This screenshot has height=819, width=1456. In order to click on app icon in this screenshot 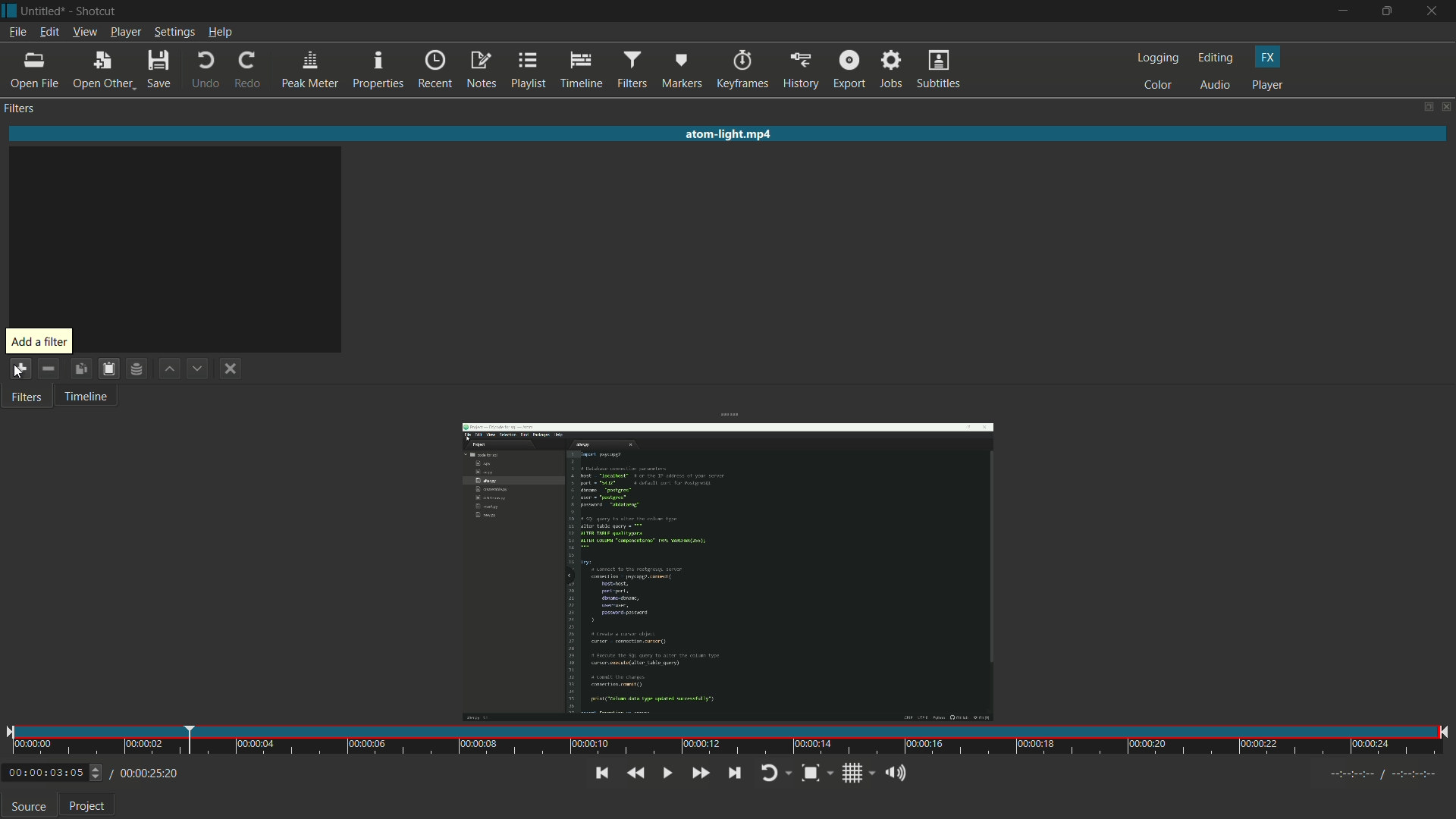, I will do `click(9, 9)`.